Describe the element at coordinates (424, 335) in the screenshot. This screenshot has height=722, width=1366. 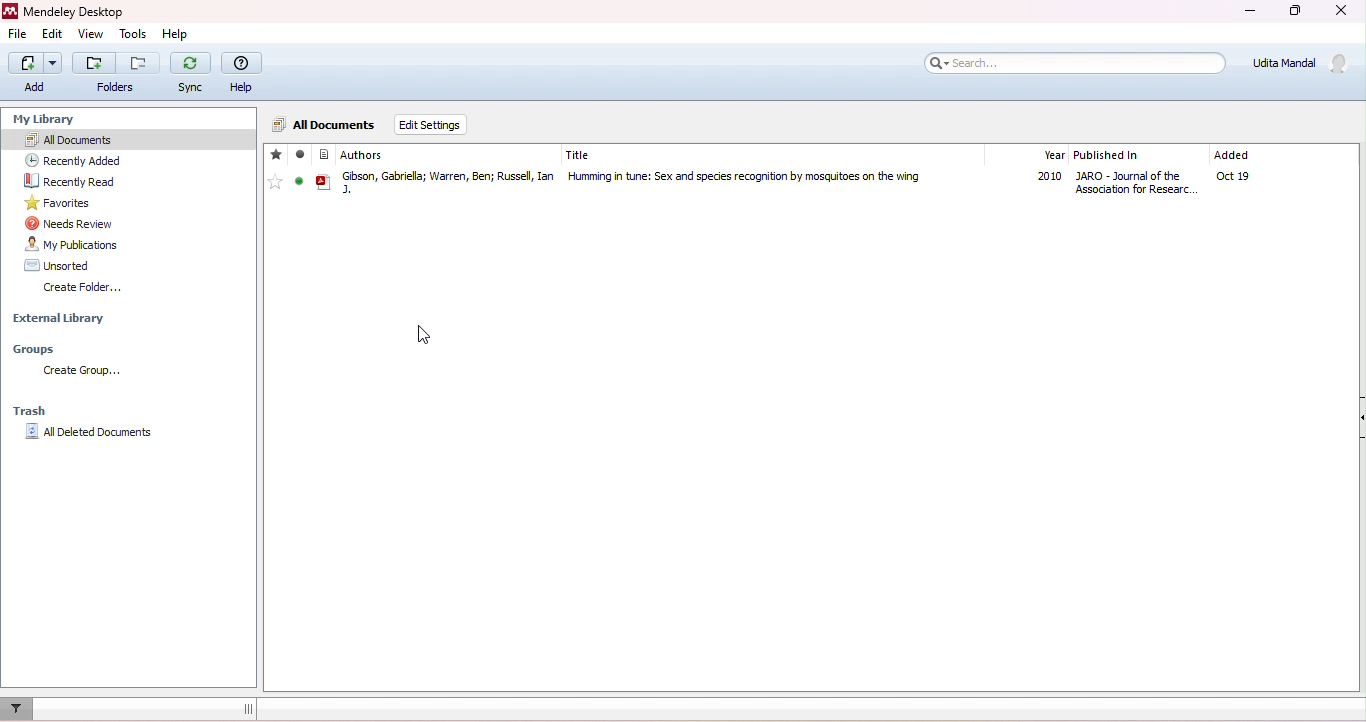
I see `cursor` at that location.